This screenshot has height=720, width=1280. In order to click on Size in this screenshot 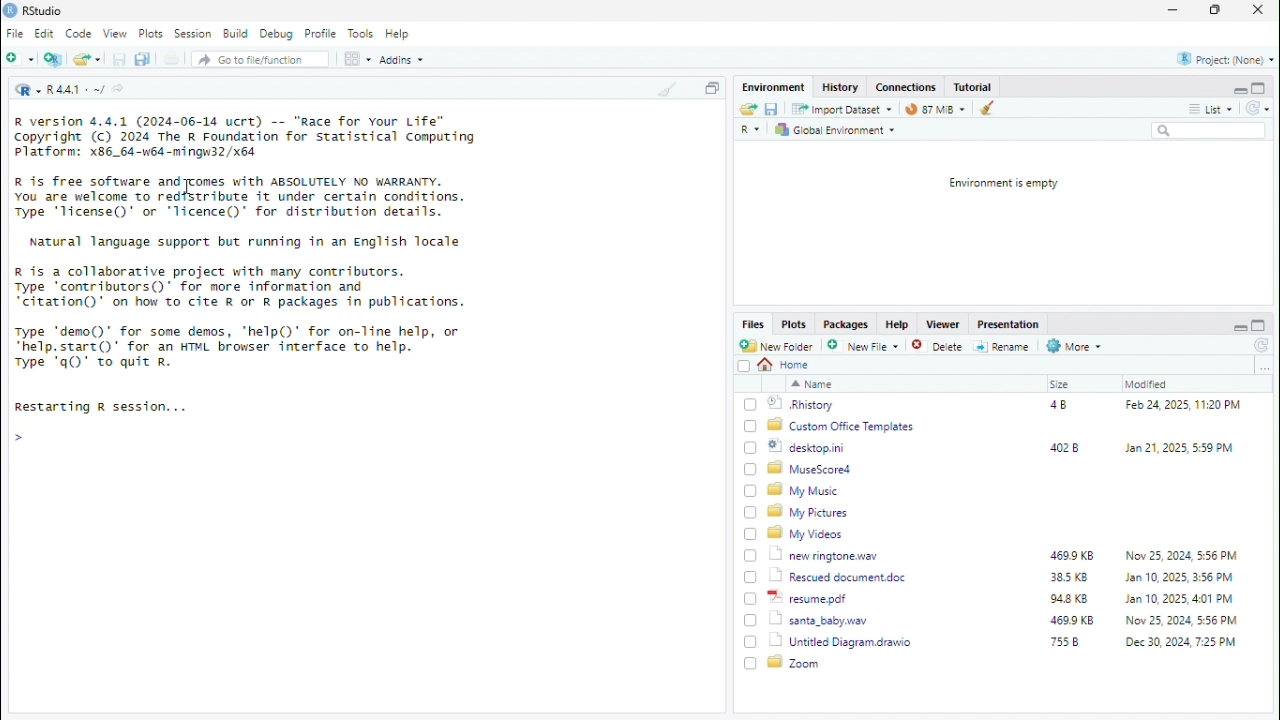, I will do `click(1061, 384)`.